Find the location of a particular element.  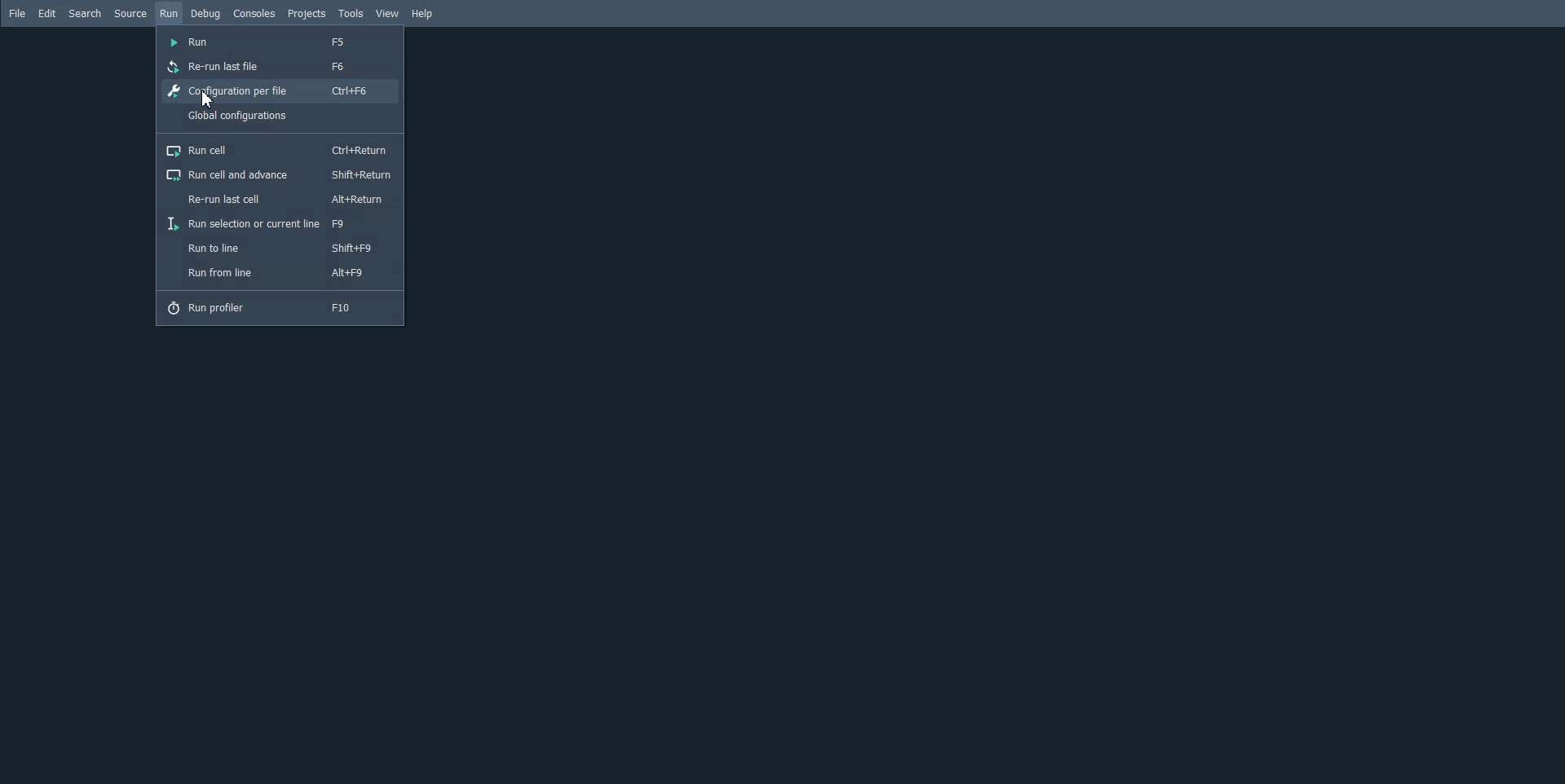

Projects is located at coordinates (306, 13).